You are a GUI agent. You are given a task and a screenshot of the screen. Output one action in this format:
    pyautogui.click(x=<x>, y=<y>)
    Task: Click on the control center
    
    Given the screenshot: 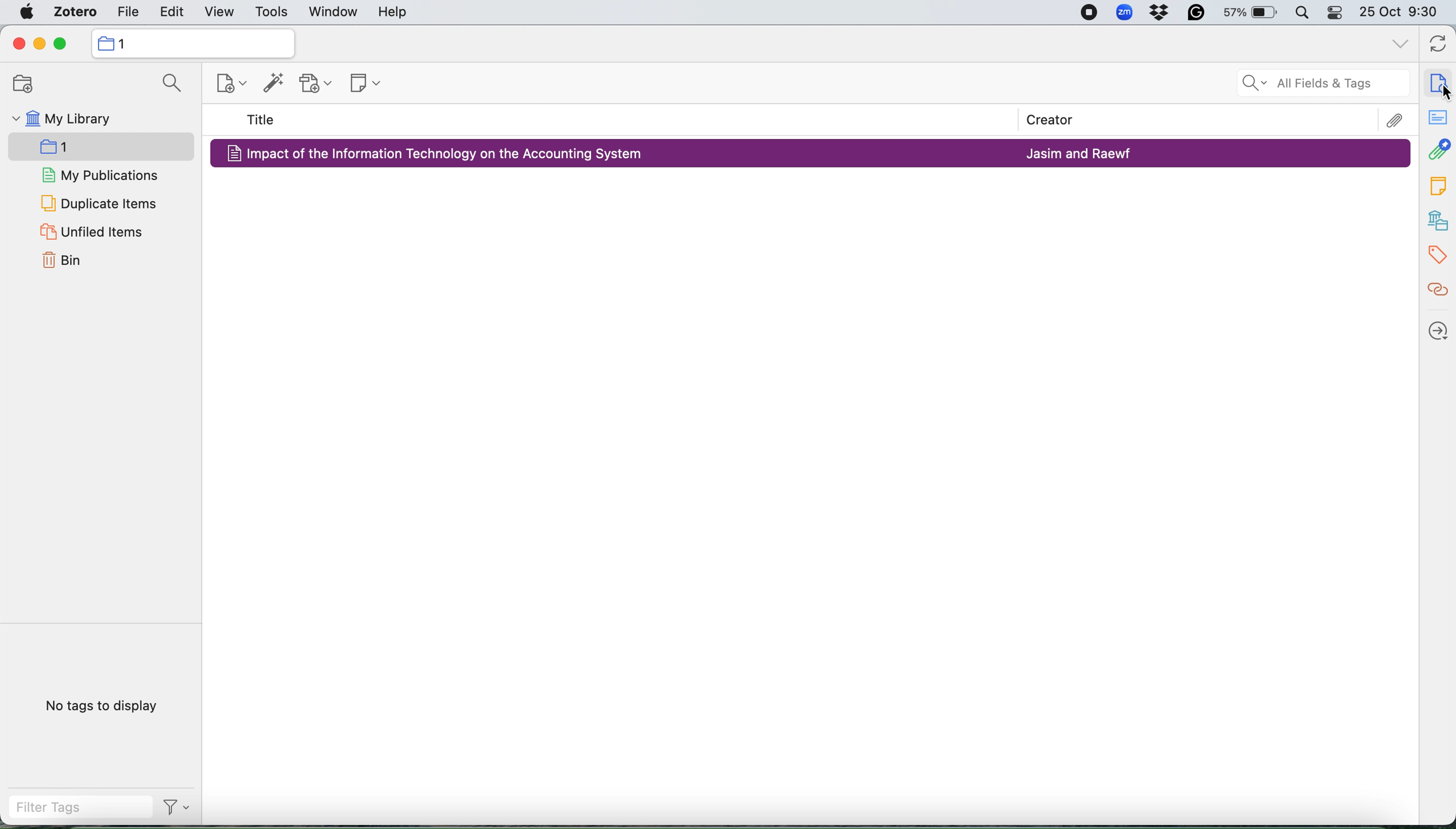 What is the action you would take?
    pyautogui.click(x=1334, y=13)
    